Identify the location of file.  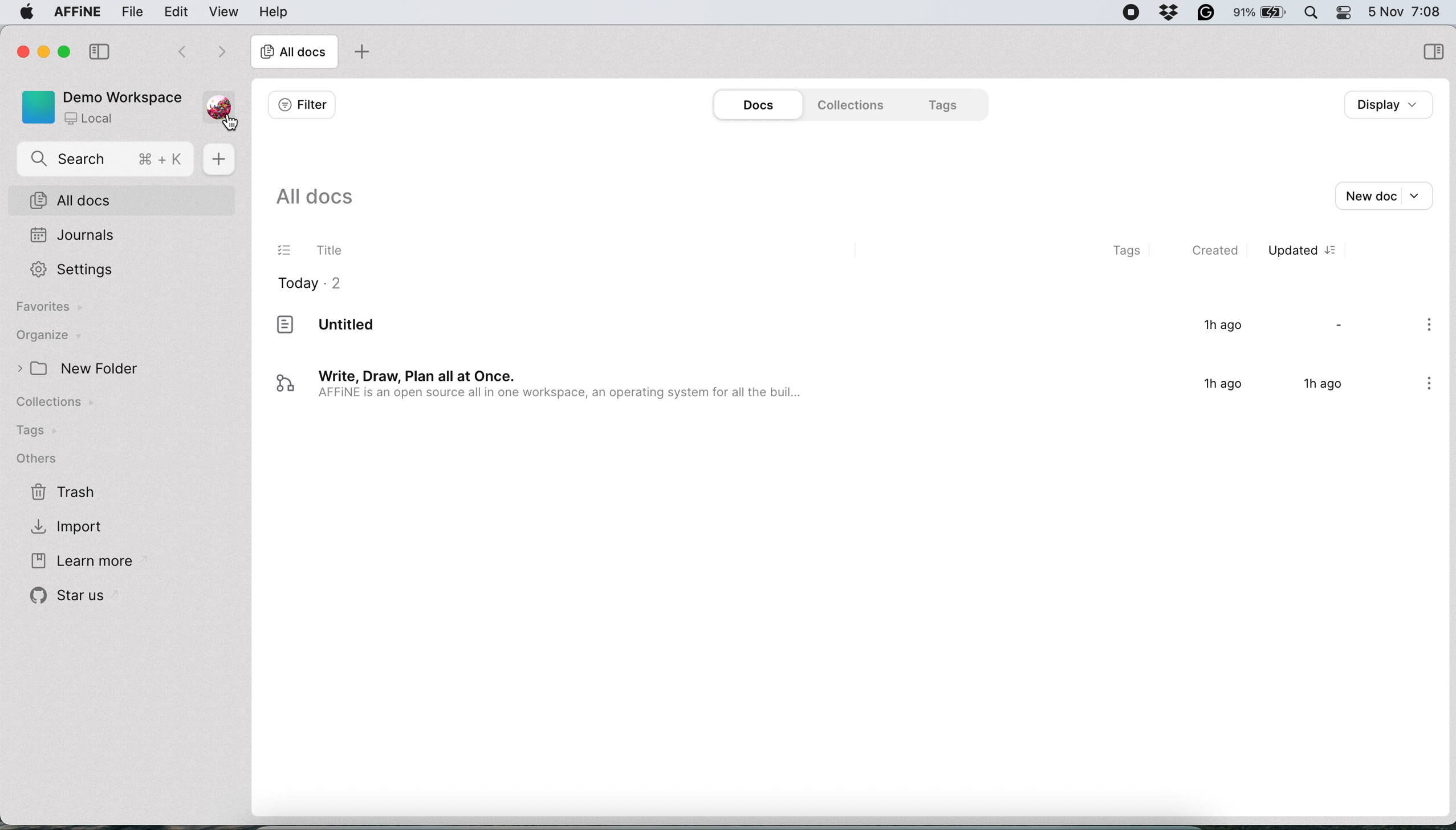
(129, 11).